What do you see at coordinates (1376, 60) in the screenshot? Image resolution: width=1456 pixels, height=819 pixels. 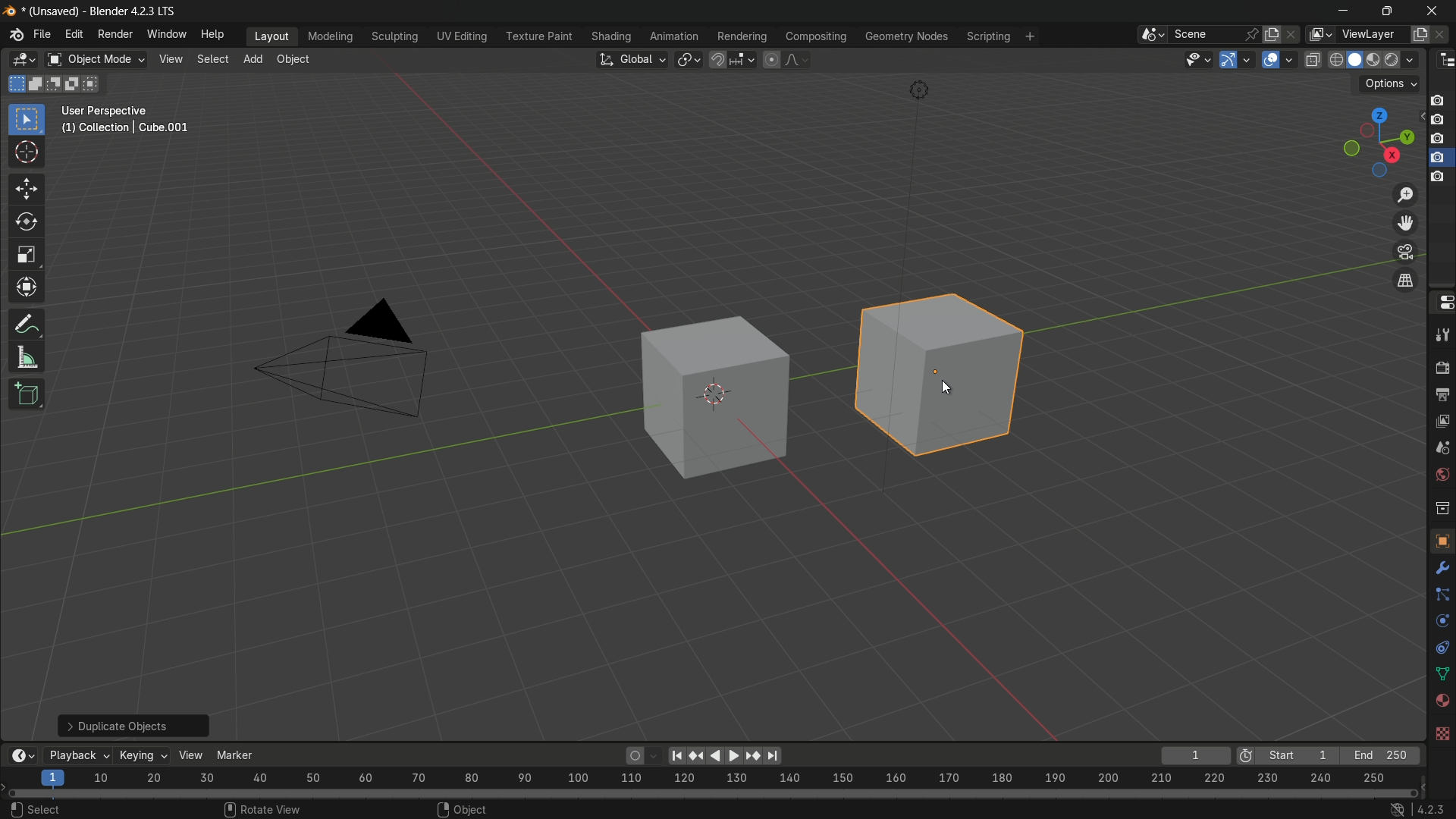 I see `material preview` at bounding box center [1376, 60].